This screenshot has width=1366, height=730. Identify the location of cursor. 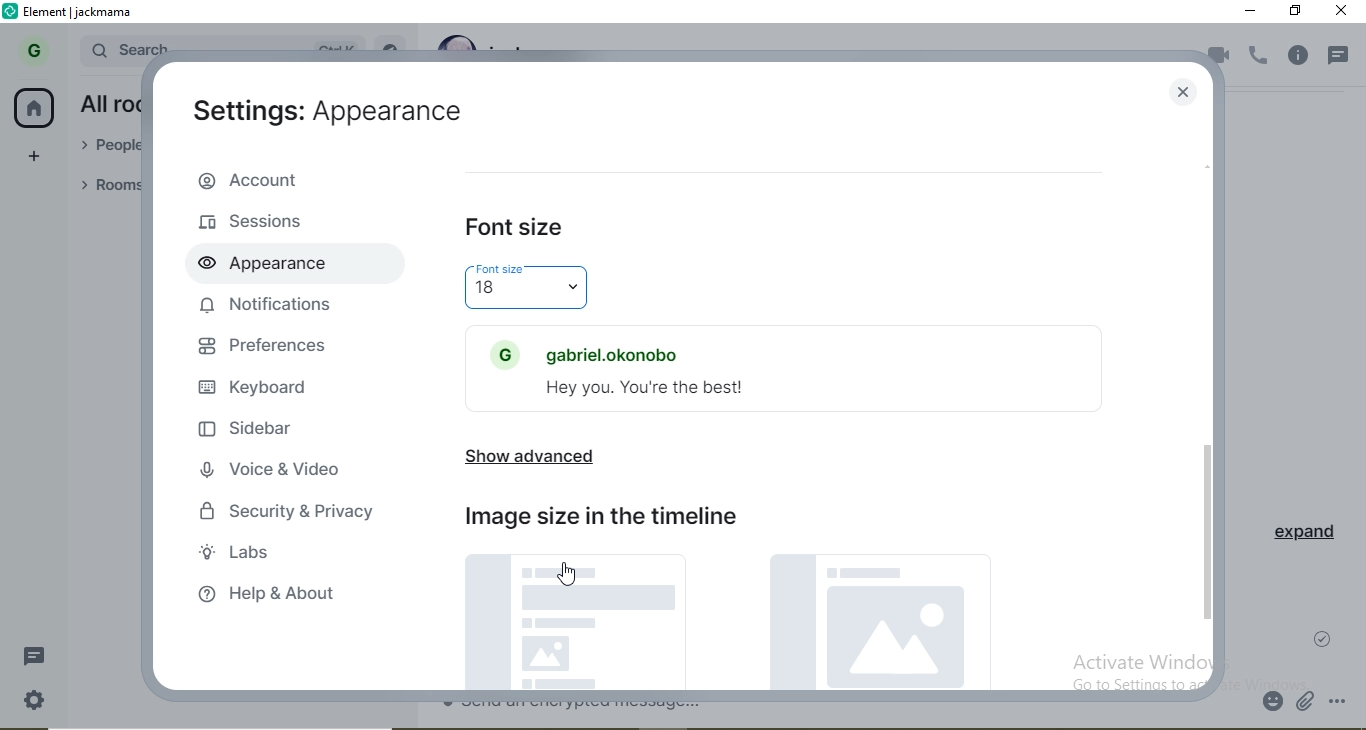
(567, 573).